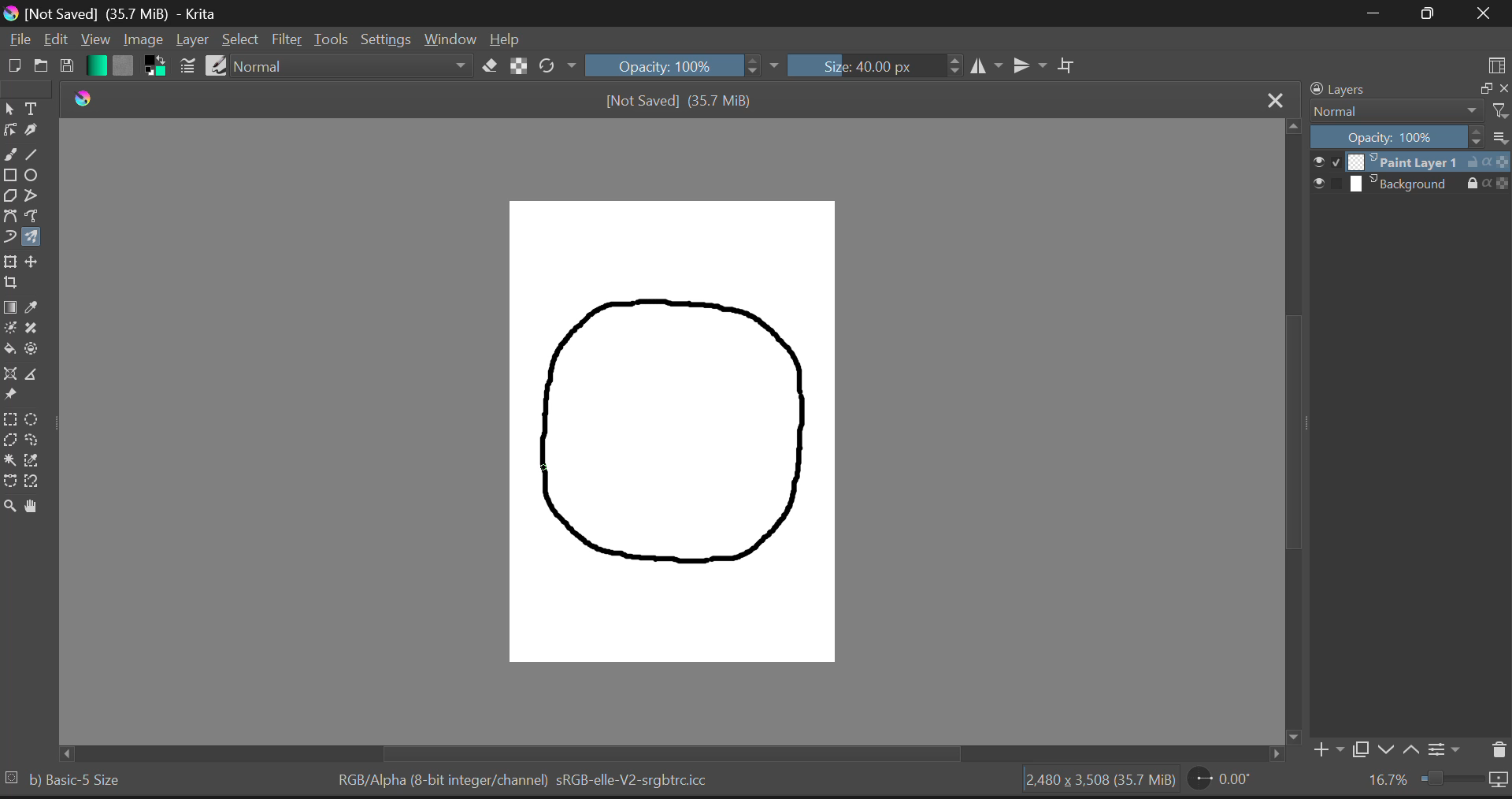 This screenshot has height=799, width=1512. What do you see at coordinates (10, 440) in the screenshot?
I see `Polygon Selection` at bounding box center [10, 440].